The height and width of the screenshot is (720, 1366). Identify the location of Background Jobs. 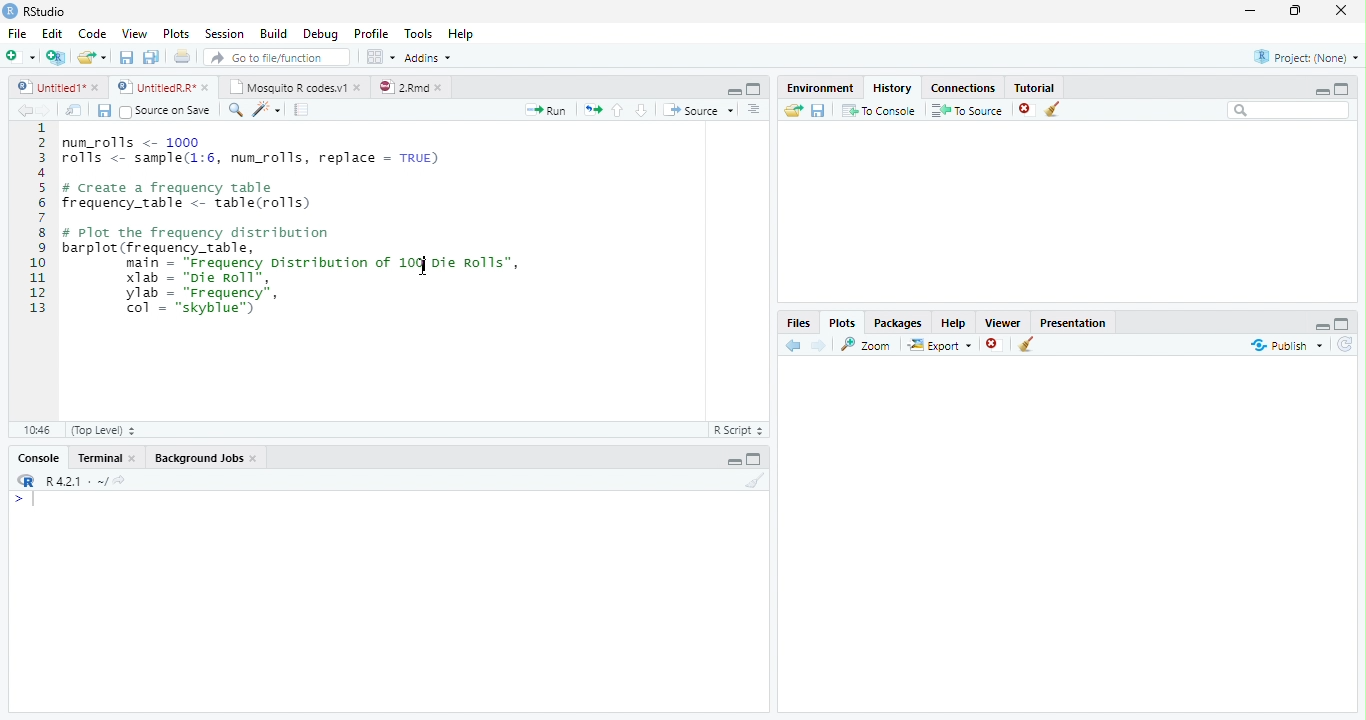
(207, 456).